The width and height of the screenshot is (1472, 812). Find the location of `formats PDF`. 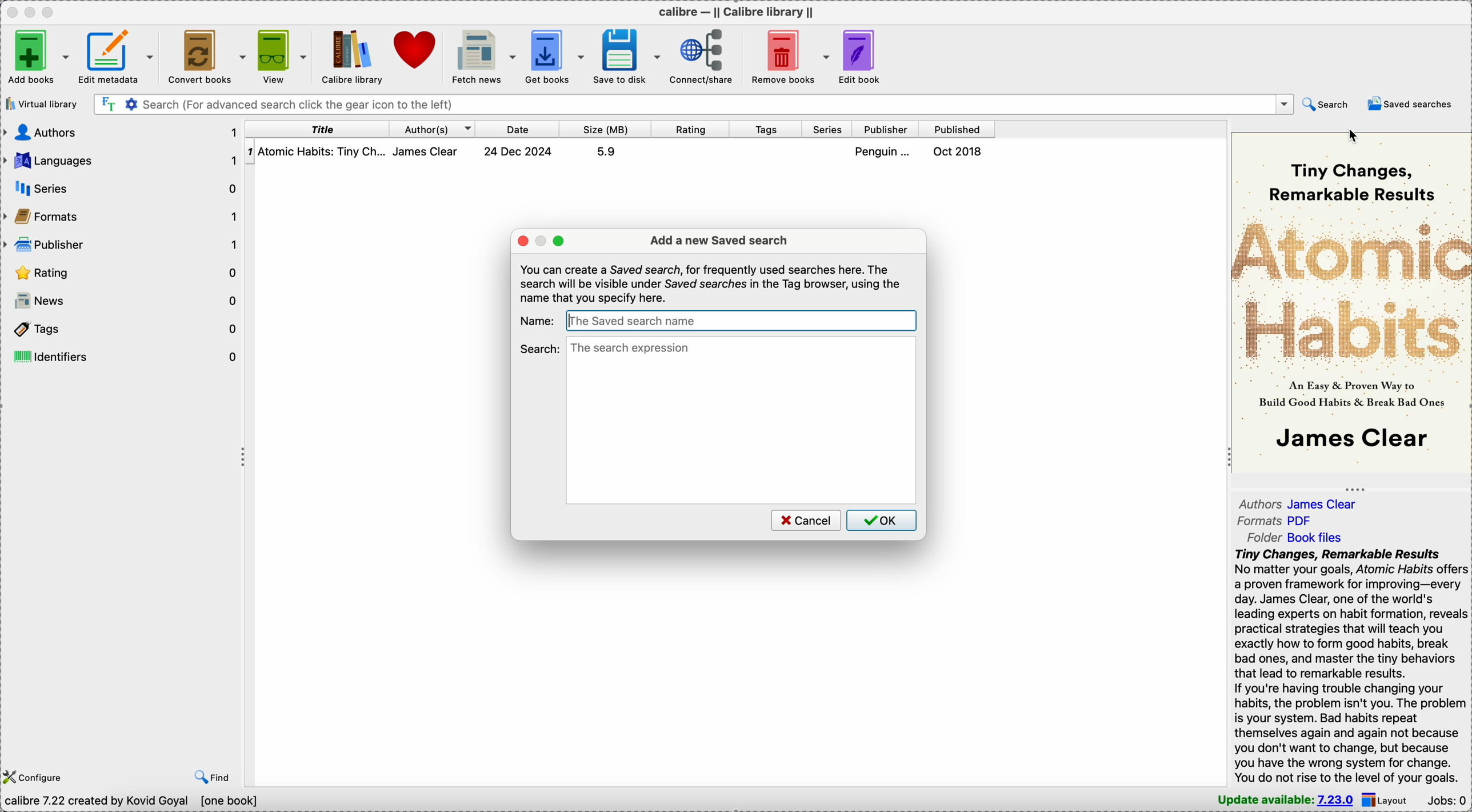

formats PDF is located at coordinates (1275, 522).